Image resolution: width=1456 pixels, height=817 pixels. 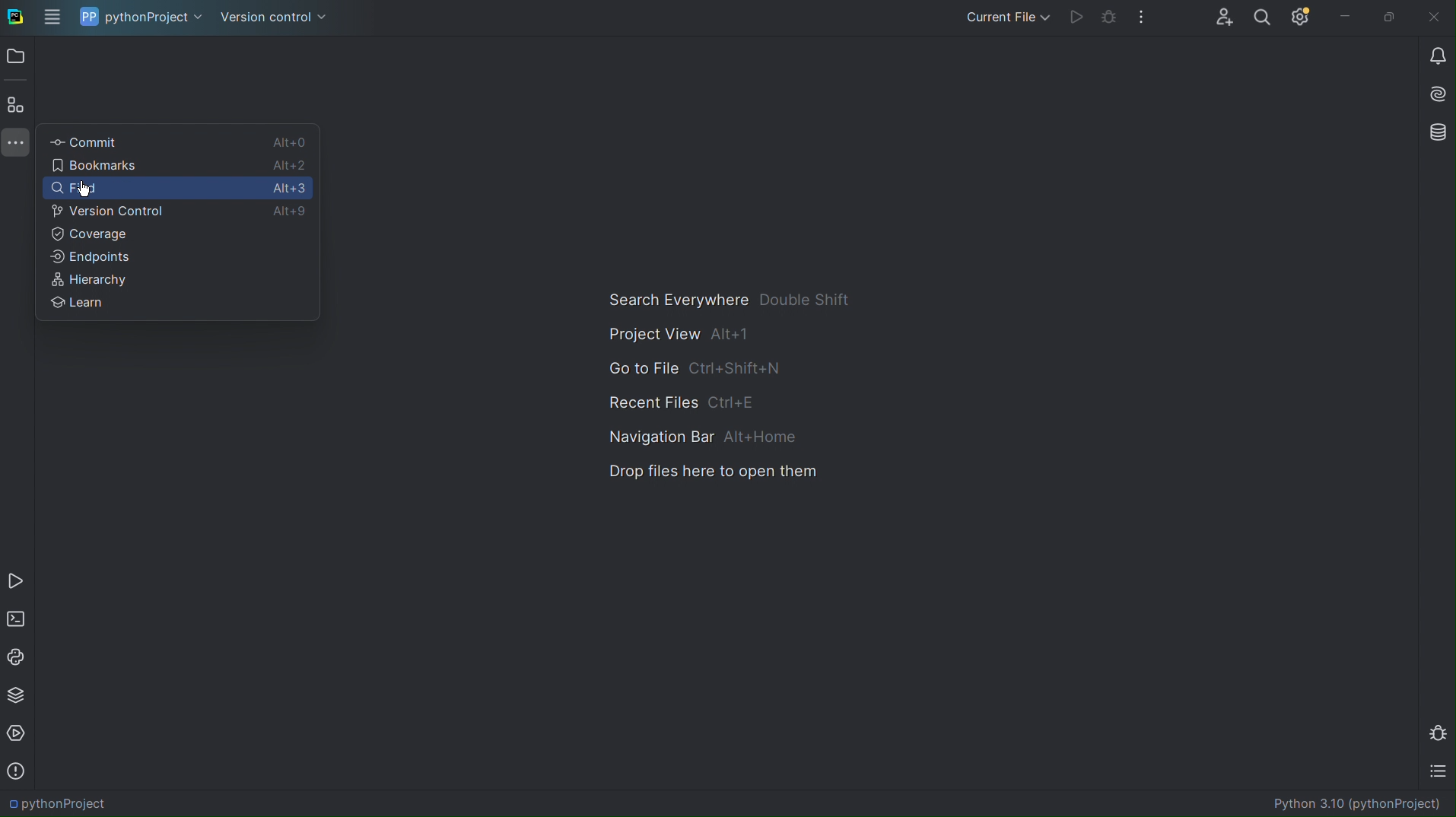 What do you see at coordinates (17, 693) in the screenshot?
I see `Python Packages` at bounding box center [17, 693].